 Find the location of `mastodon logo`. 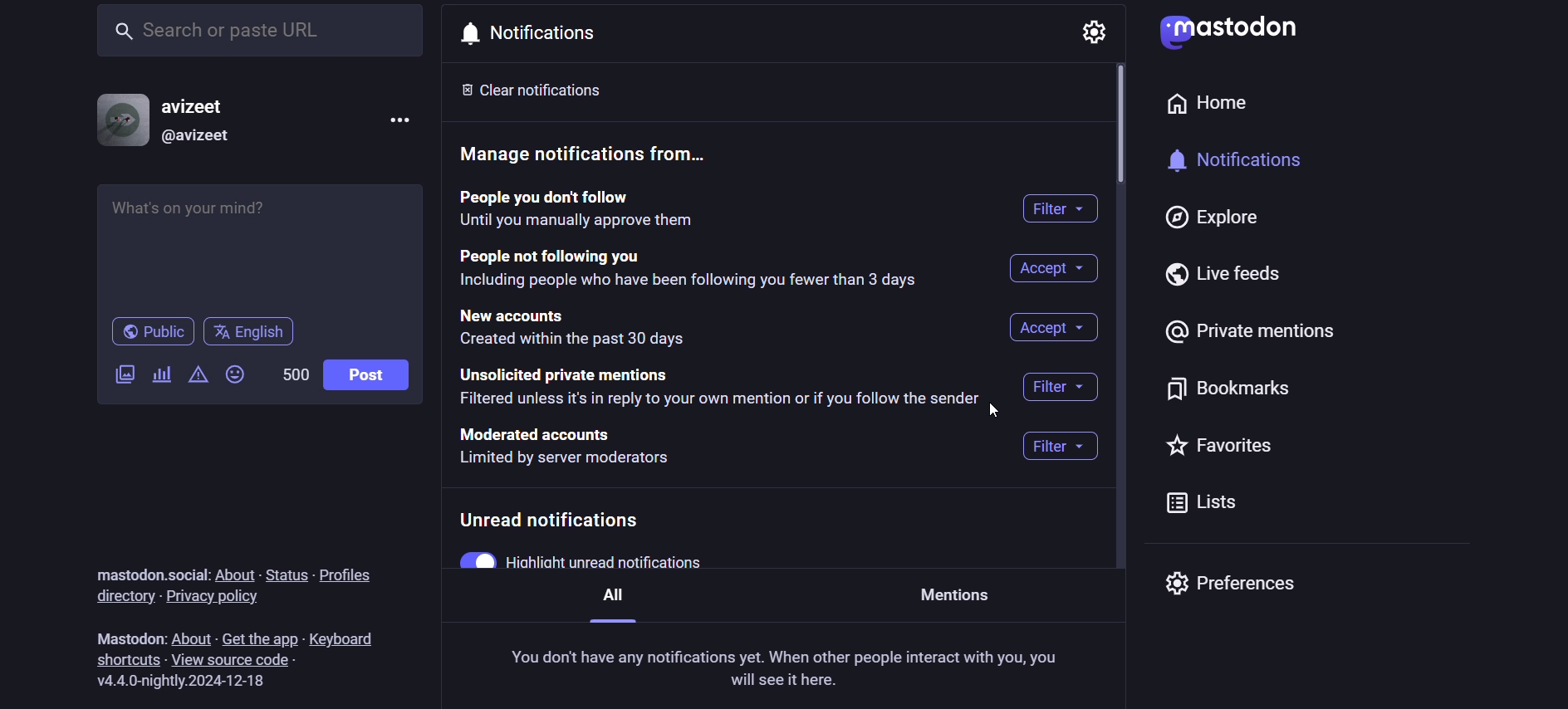

mastodon logo is located at coordinates (1225, 32).